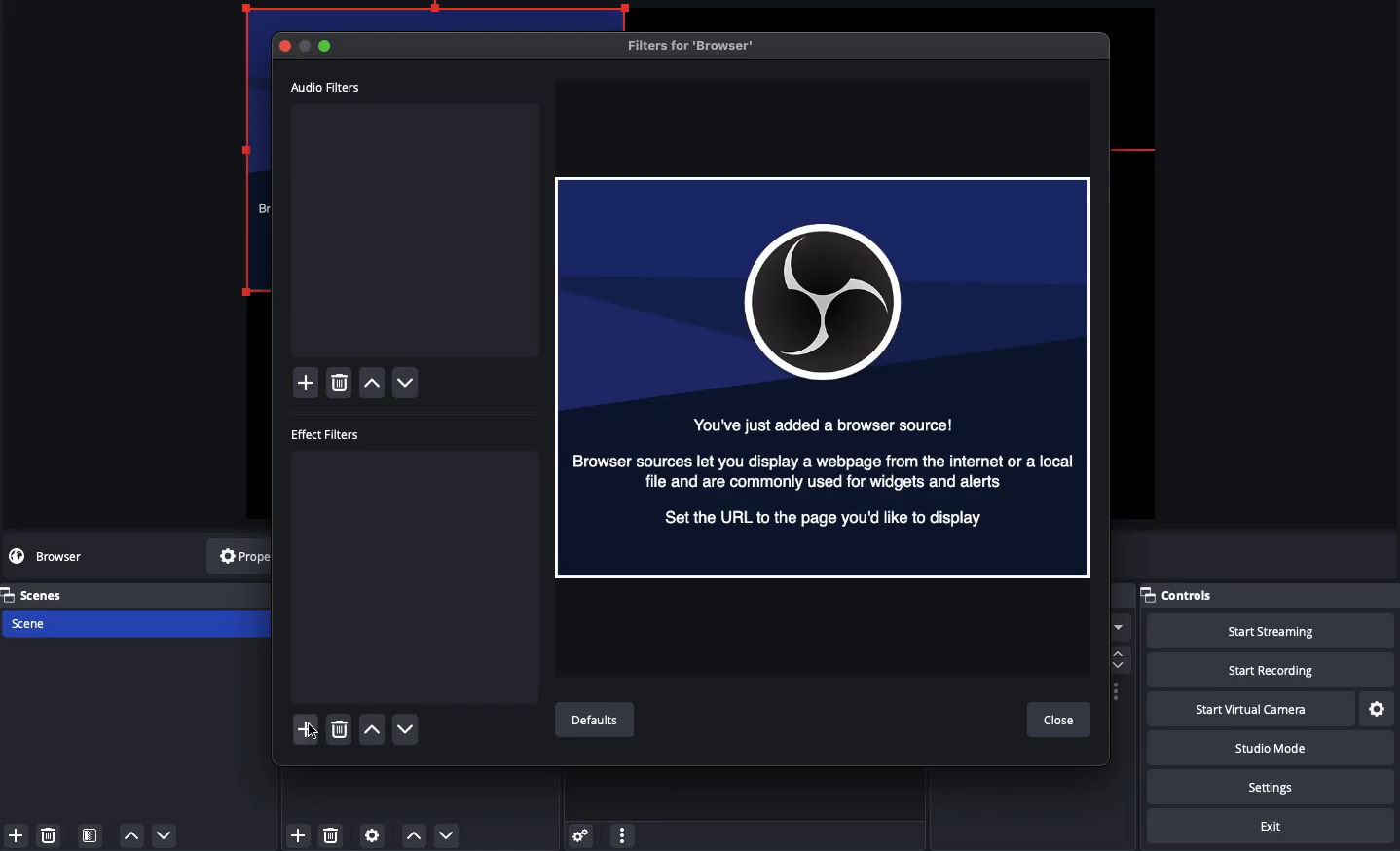  Describe the element at coordinates (131, 834) in the screenshot. I see `up` at that location.